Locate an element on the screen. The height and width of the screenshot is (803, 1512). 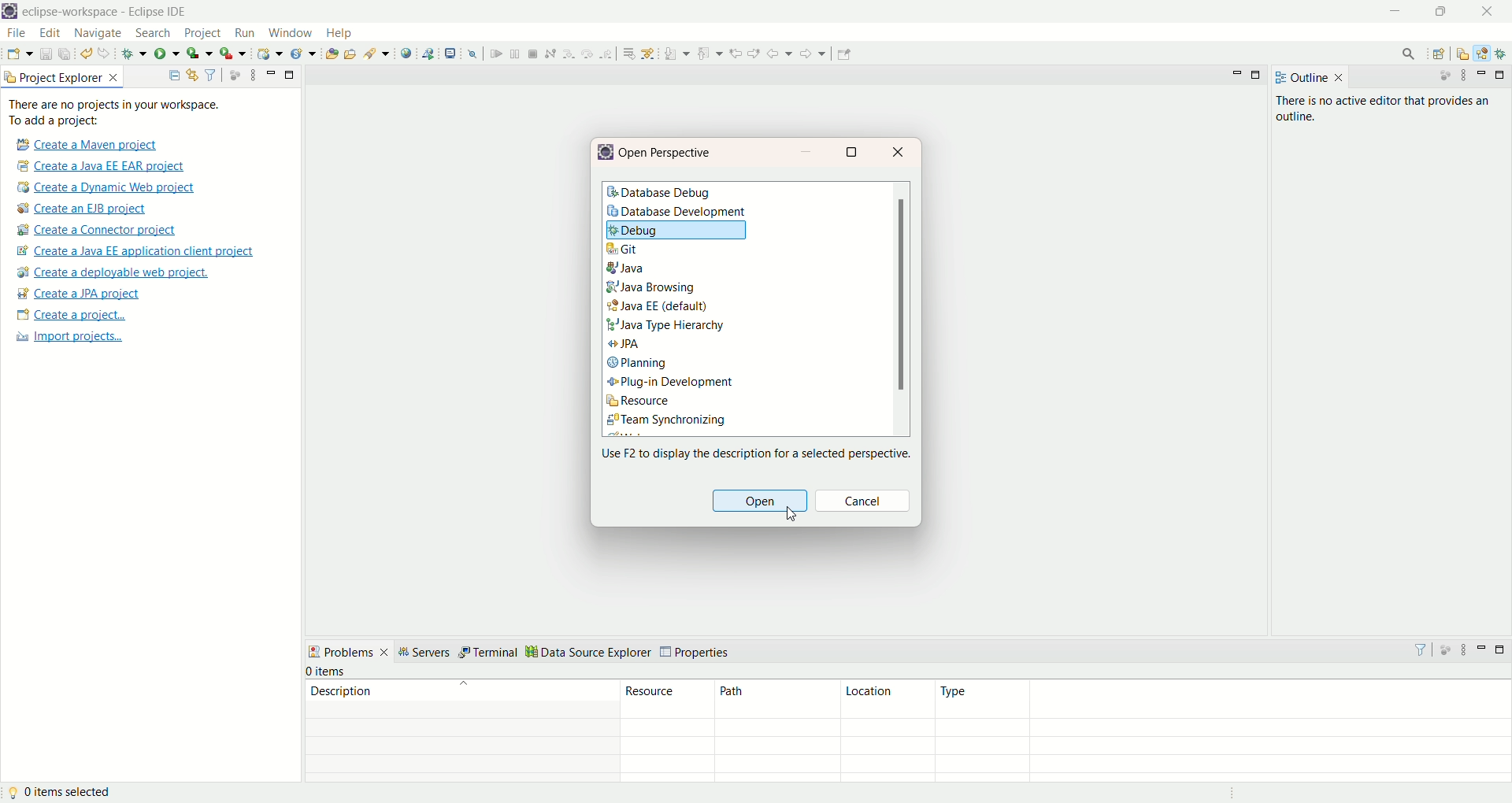
description is located at coordinates (457, 735).